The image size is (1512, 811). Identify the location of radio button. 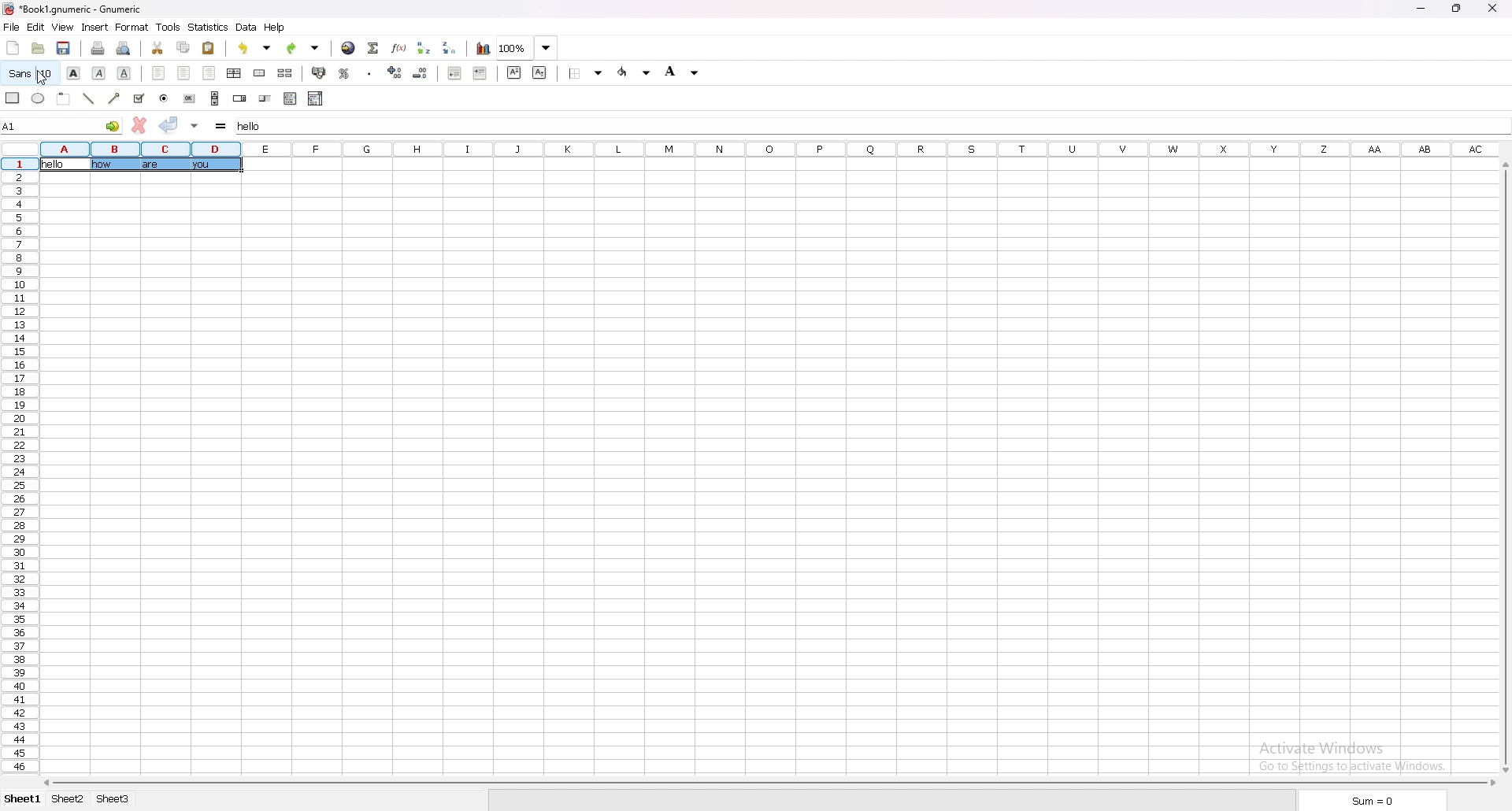
(163, 98).